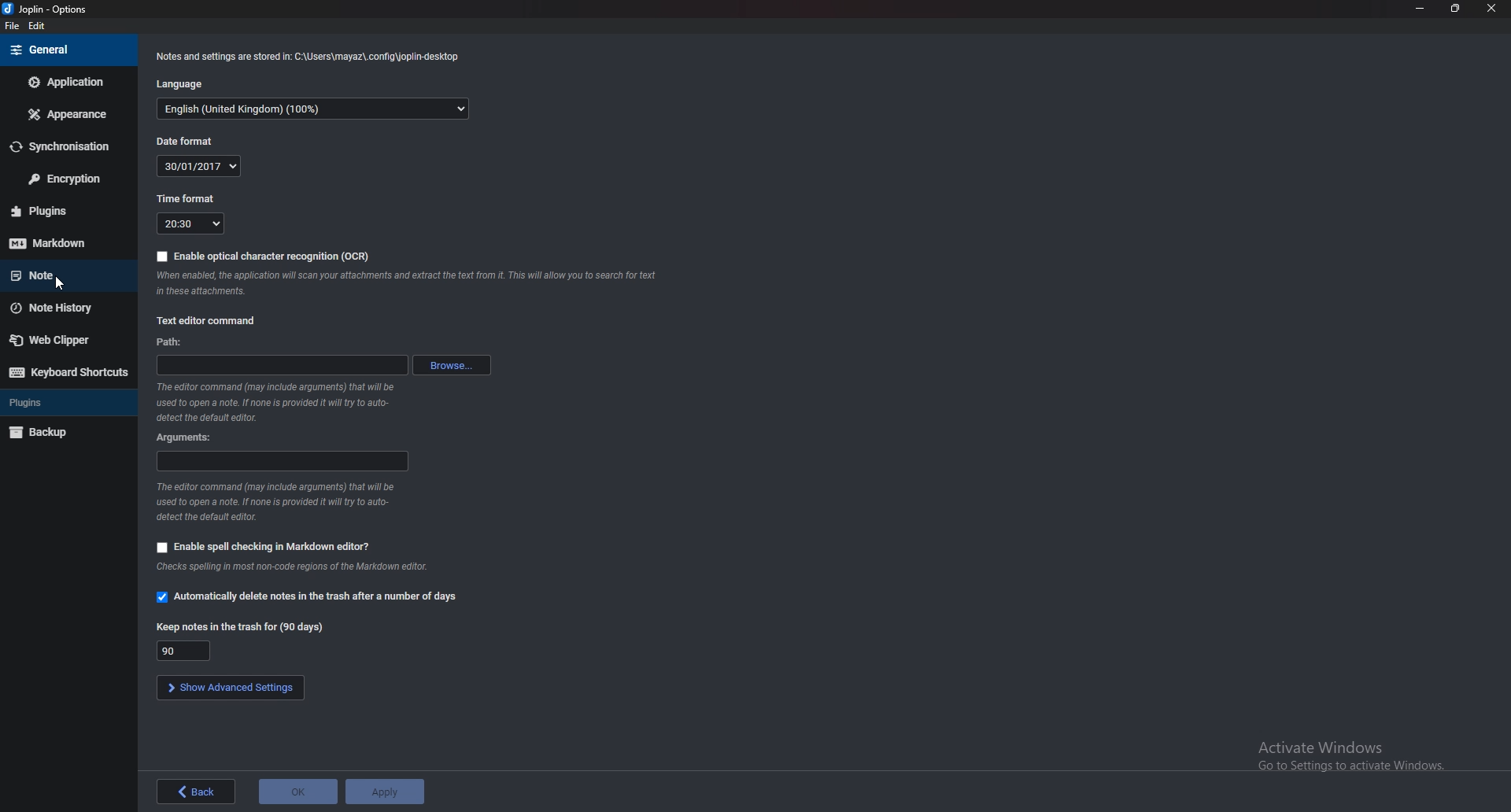 The width and height of the screenshot is (1511, 812). What do you see at coordinates (1359, 756) in the screenshot?
I see `Activate windows pop up` at bounding box center [1359, 756].